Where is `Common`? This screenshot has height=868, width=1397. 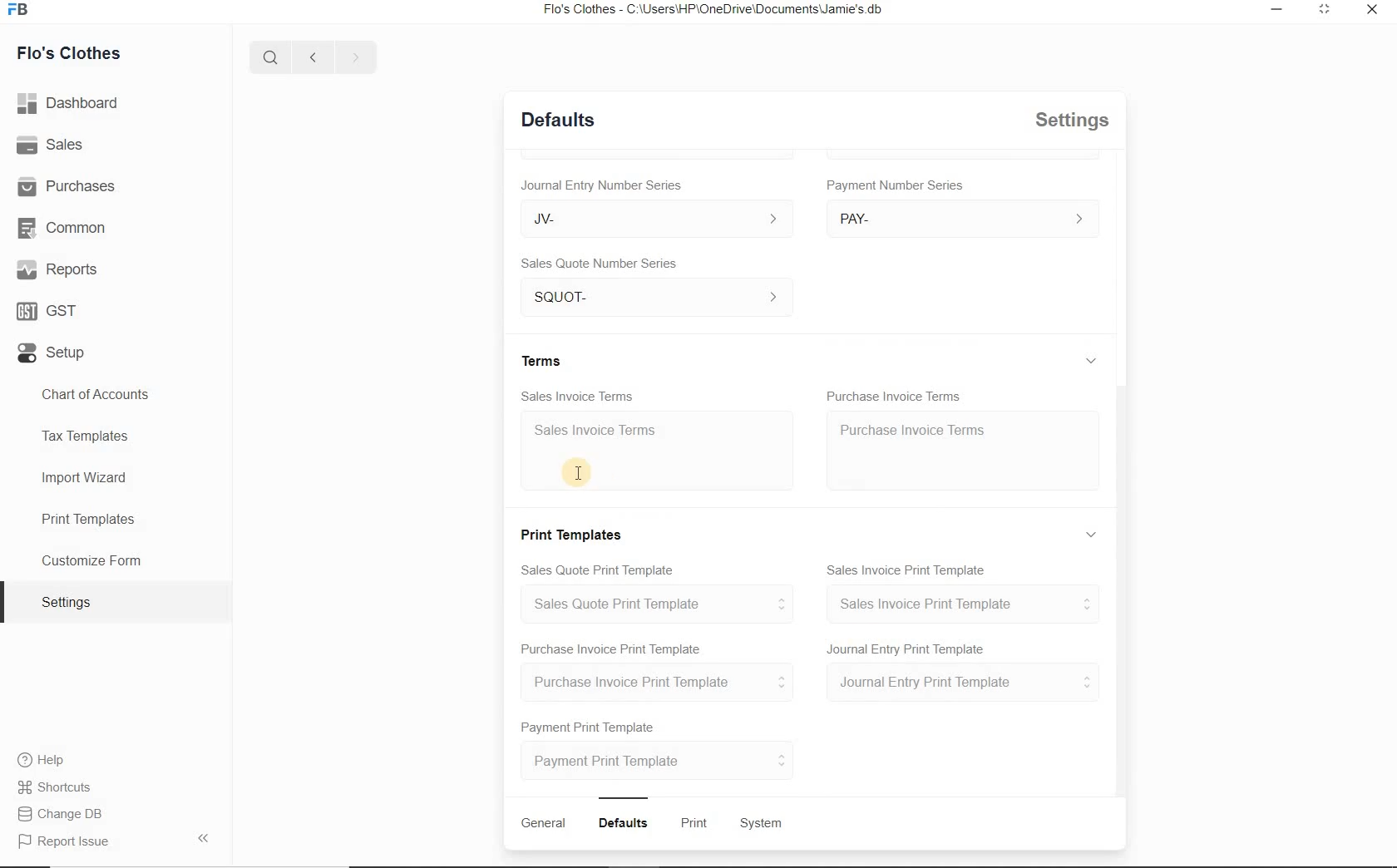
Common is located at coordinates (61, 228).